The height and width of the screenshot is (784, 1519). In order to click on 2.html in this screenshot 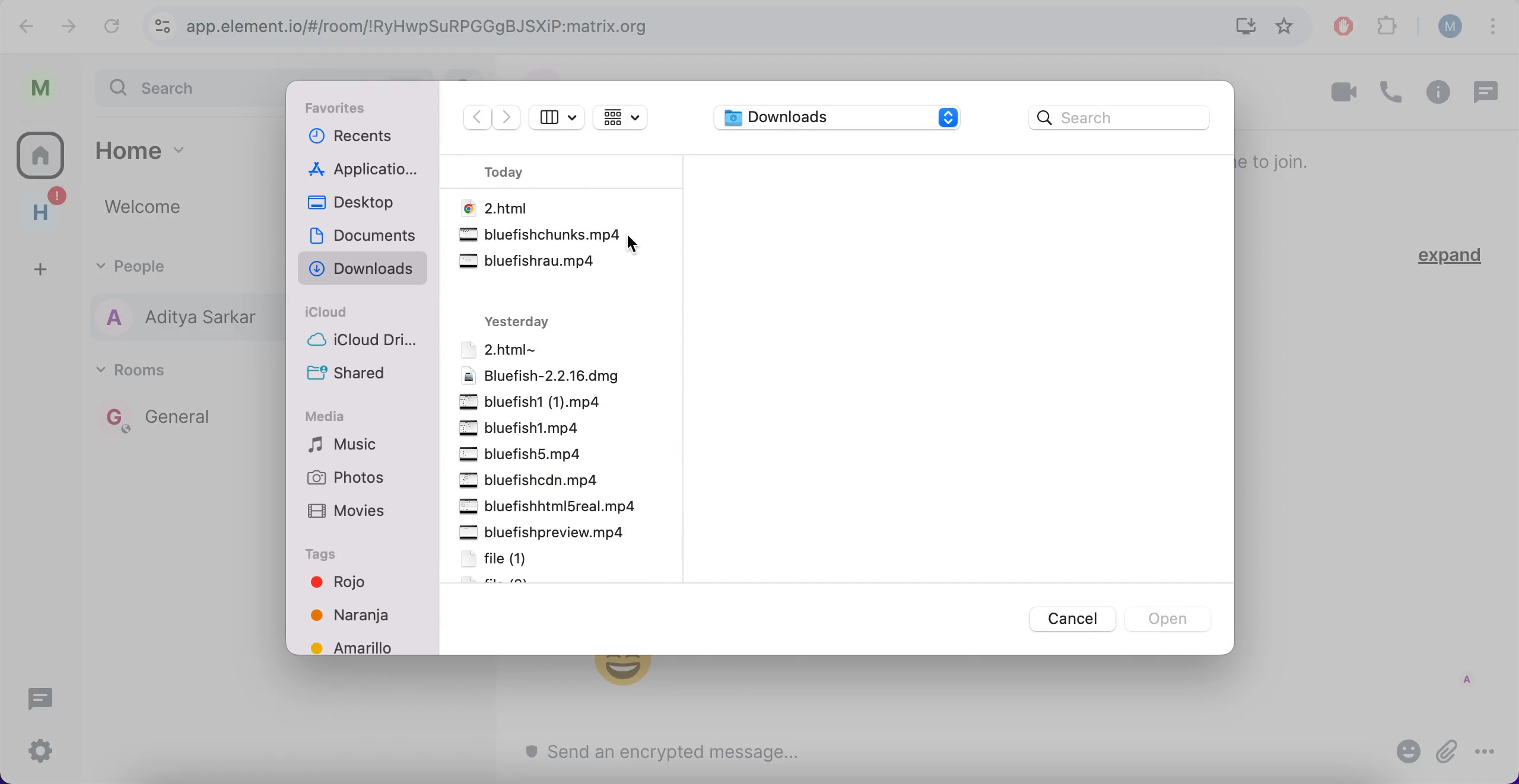, I will do `click(497, 208)`.